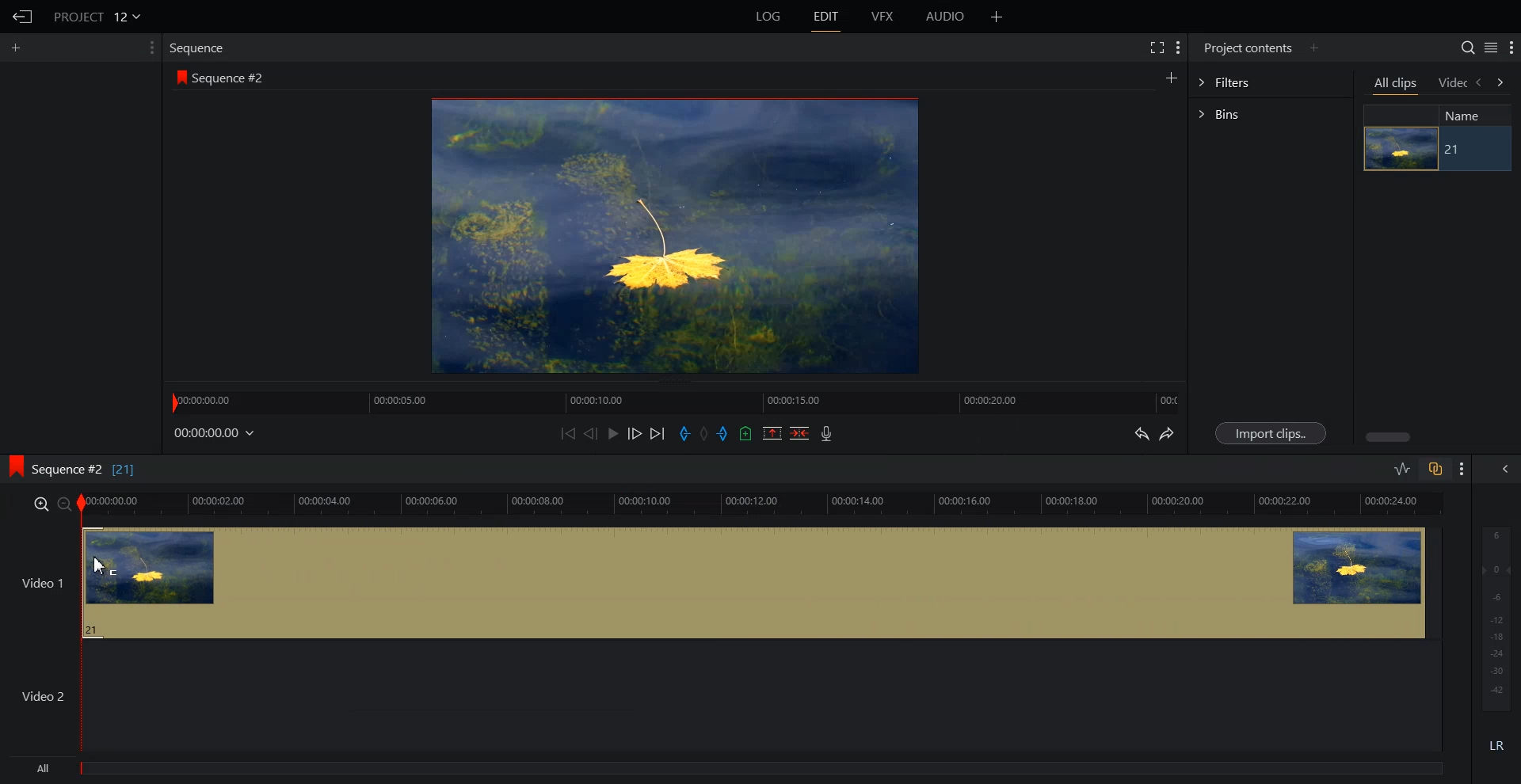 The height and width of the screenshot is (784, 1521). What do you see at coordinates (1389, 436) in the screenshot?
I see `scroll bar` at bounding box center [1389, 436].